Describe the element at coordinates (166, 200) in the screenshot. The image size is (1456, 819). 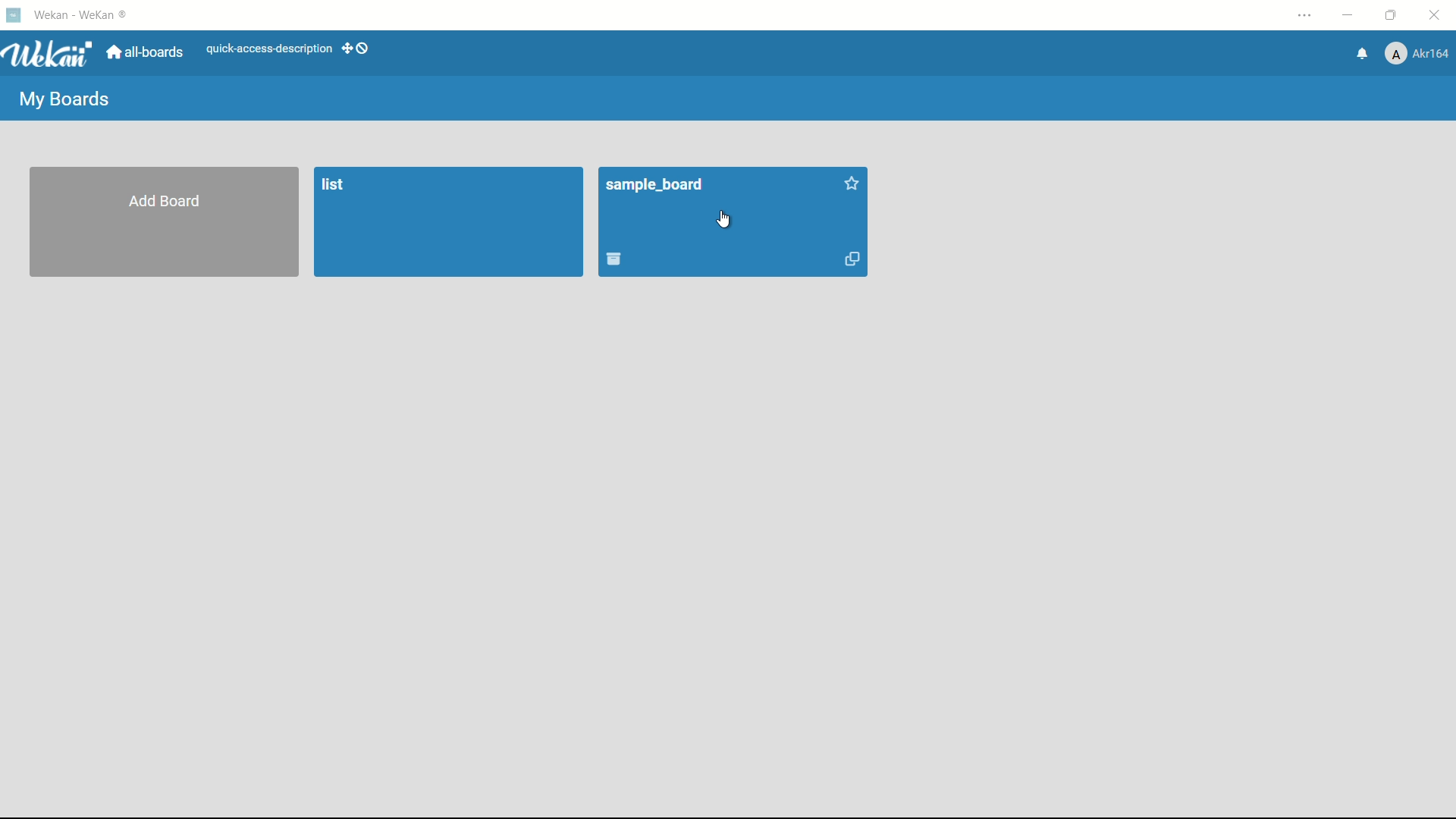
I see `add board` at that location.